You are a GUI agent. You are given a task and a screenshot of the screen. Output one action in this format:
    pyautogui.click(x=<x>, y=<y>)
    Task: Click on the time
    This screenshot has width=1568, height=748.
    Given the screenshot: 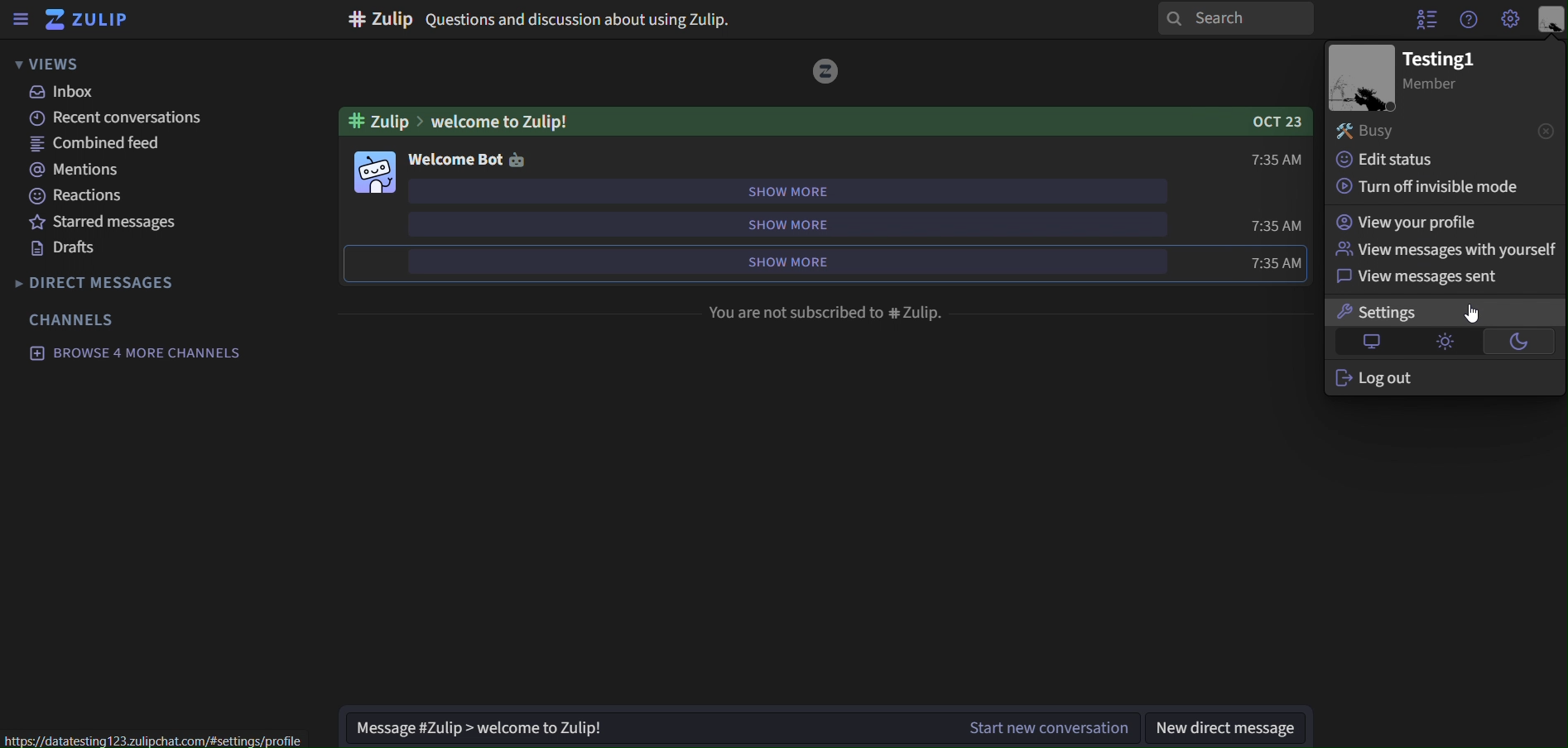 What is the action you would take?
    pyautogui.click(x=1278, y=158)
    